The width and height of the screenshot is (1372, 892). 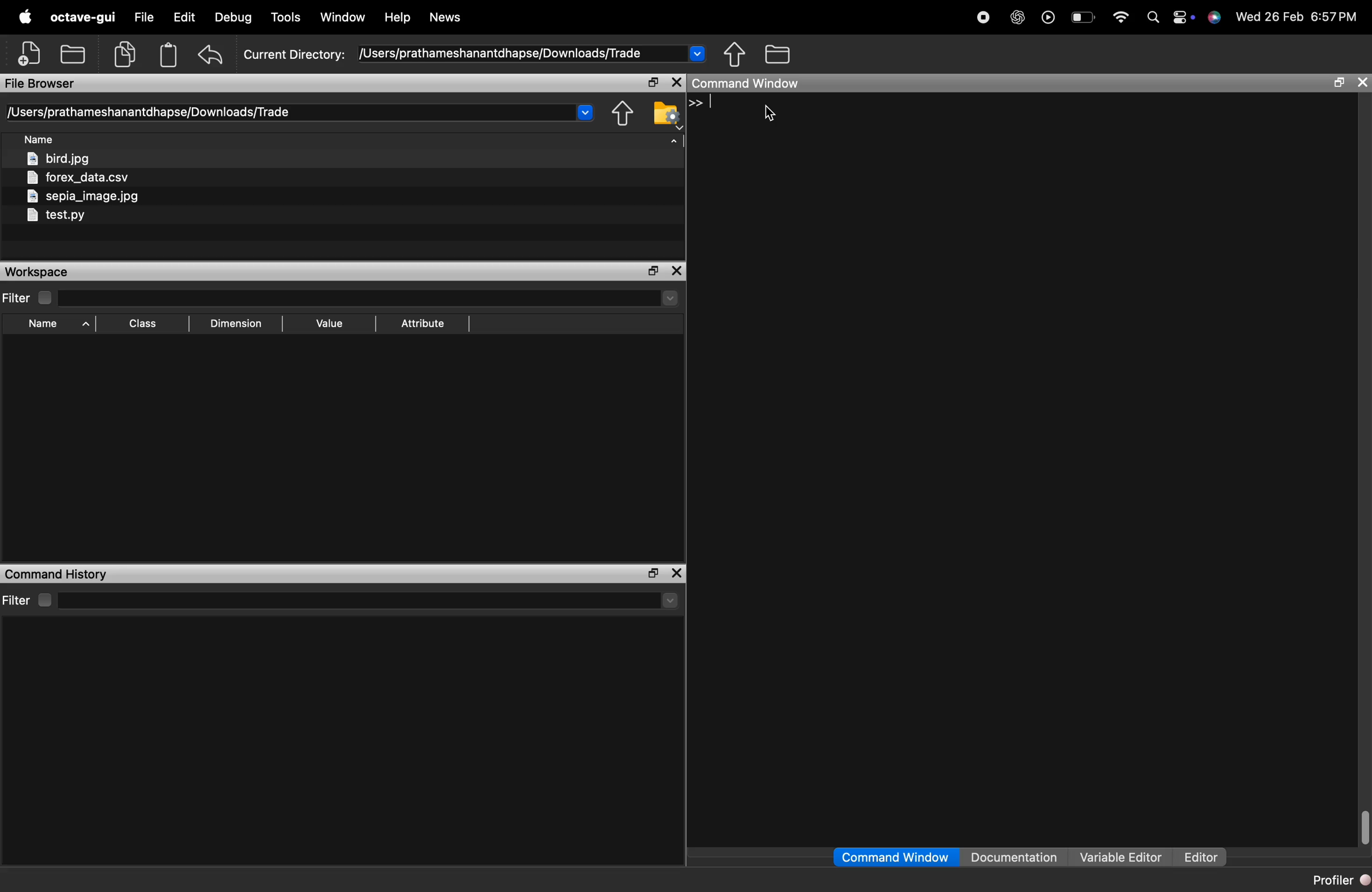 What do you see at coordinates (653, 573) in the screenshot?
I see `maximize` at bounding box center [653, 573].